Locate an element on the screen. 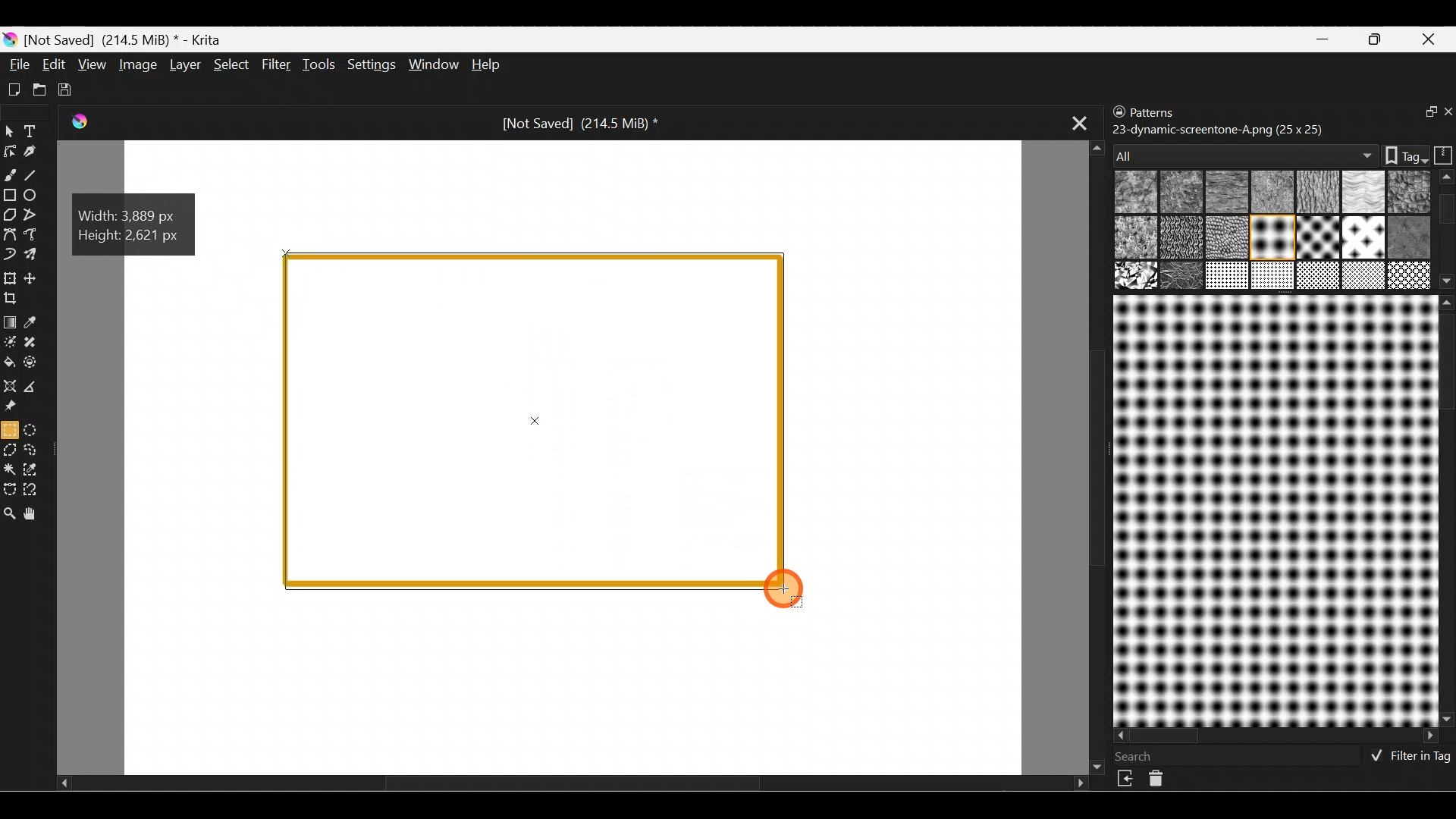 This screenshot has height=819, width=1456. Settings is located at coordinates (369, 65).